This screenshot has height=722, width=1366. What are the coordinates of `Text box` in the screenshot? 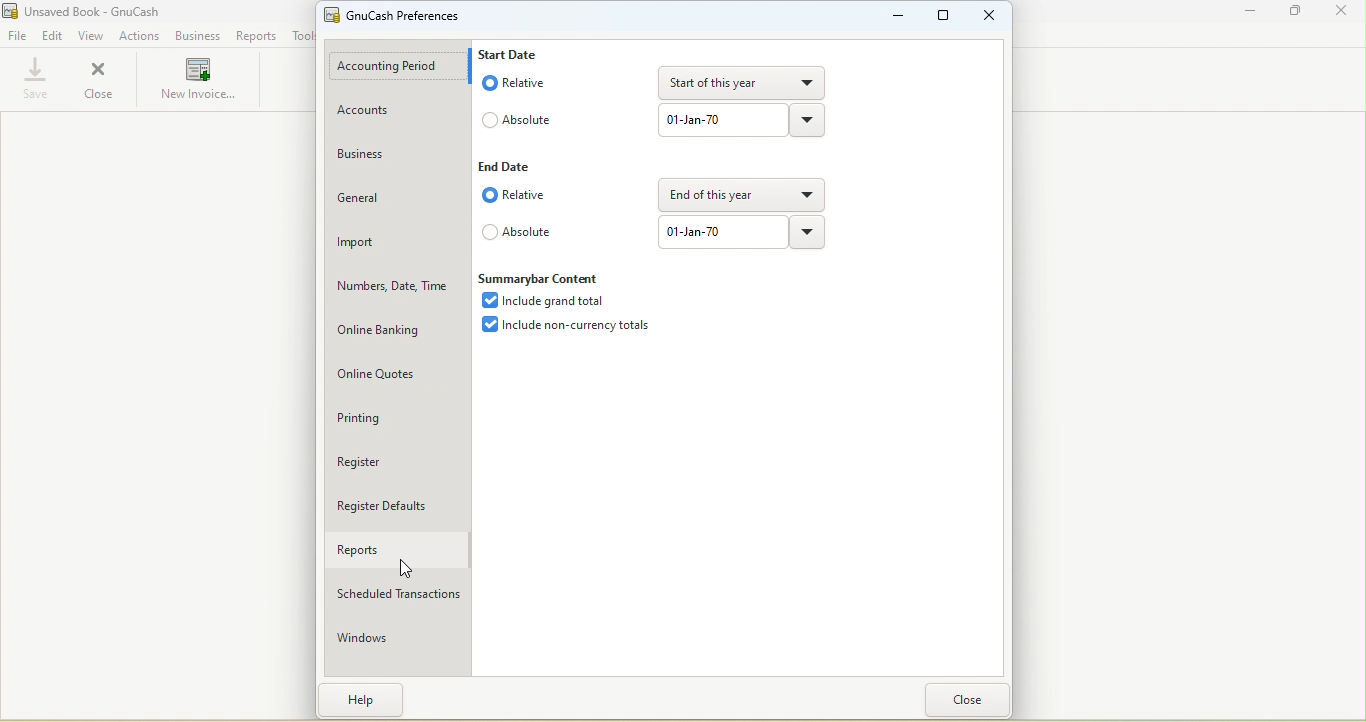 It's located at (722, 231).